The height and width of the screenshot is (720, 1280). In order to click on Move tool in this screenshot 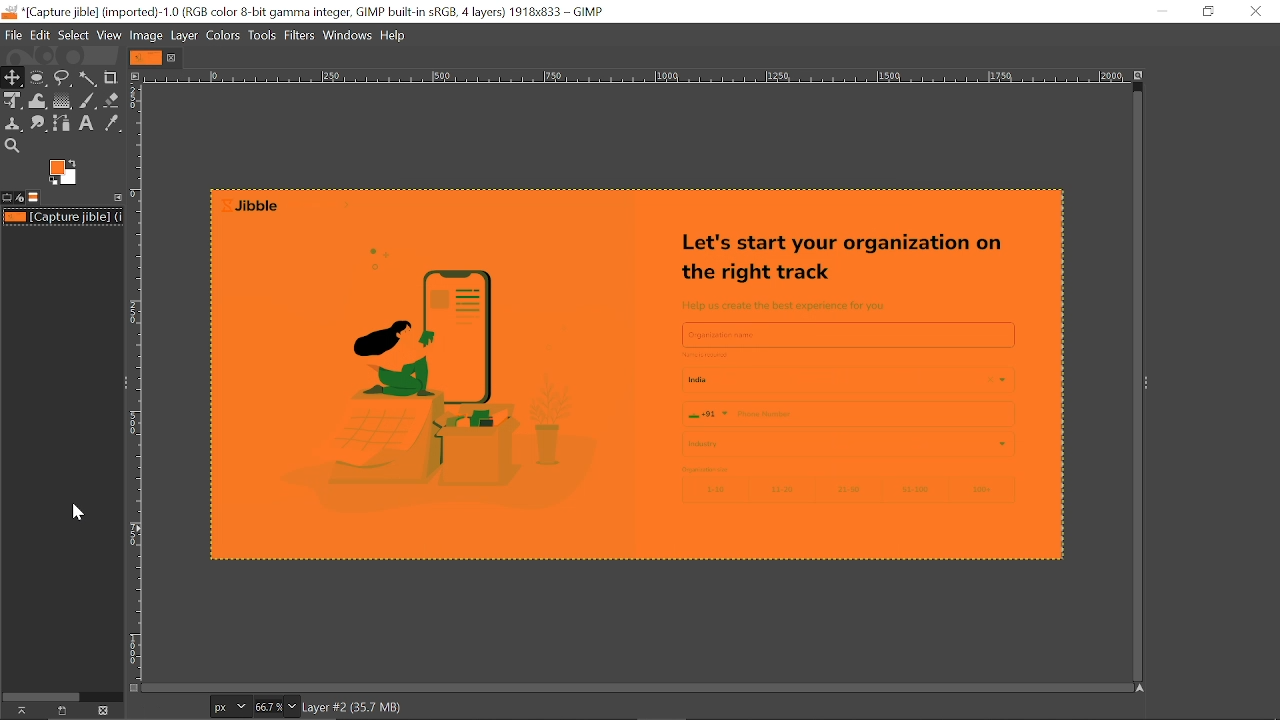, I will do `click(13, 77)`.